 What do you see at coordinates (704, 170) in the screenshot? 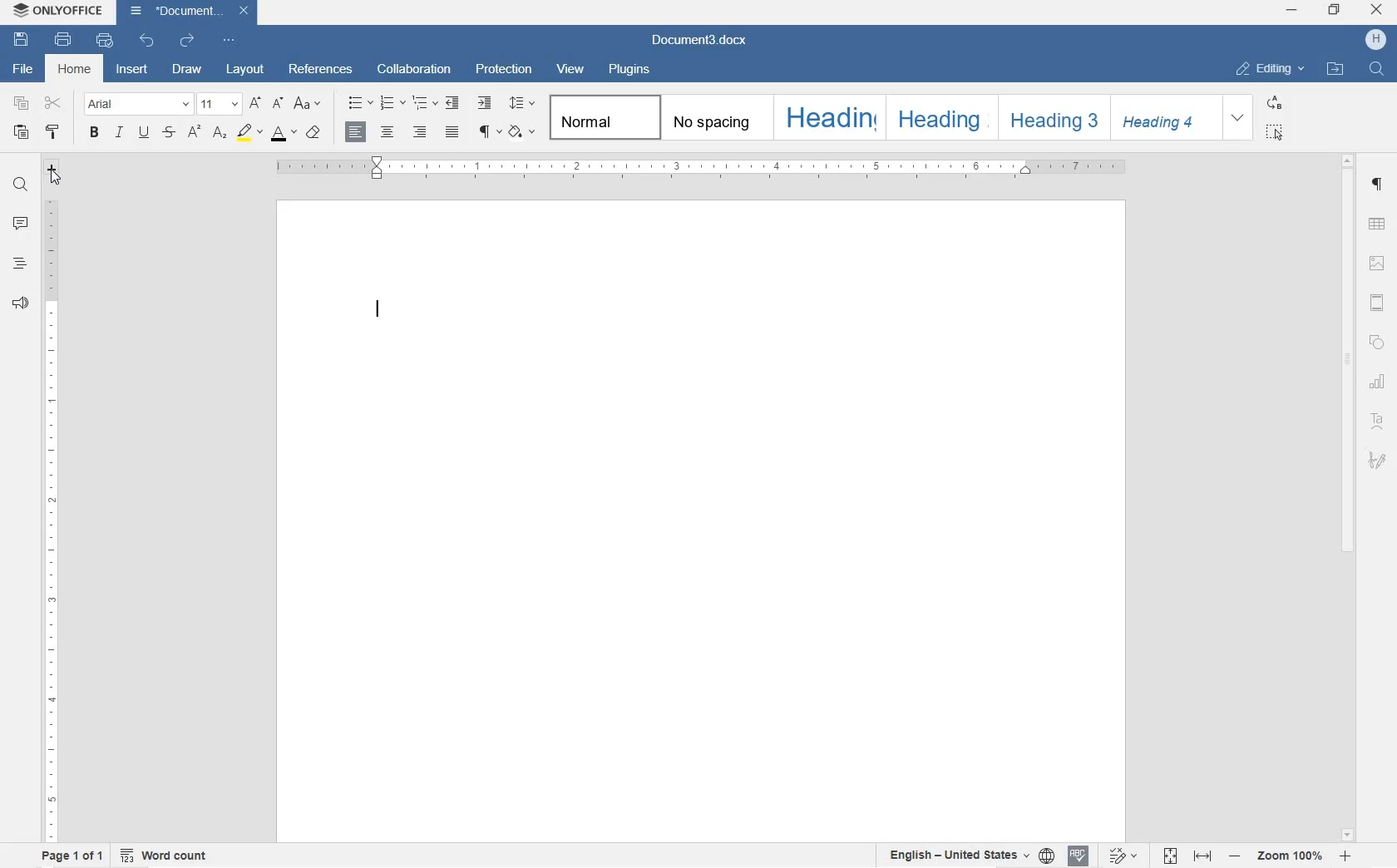
I see `RULER` at bounding box center [704, 170].